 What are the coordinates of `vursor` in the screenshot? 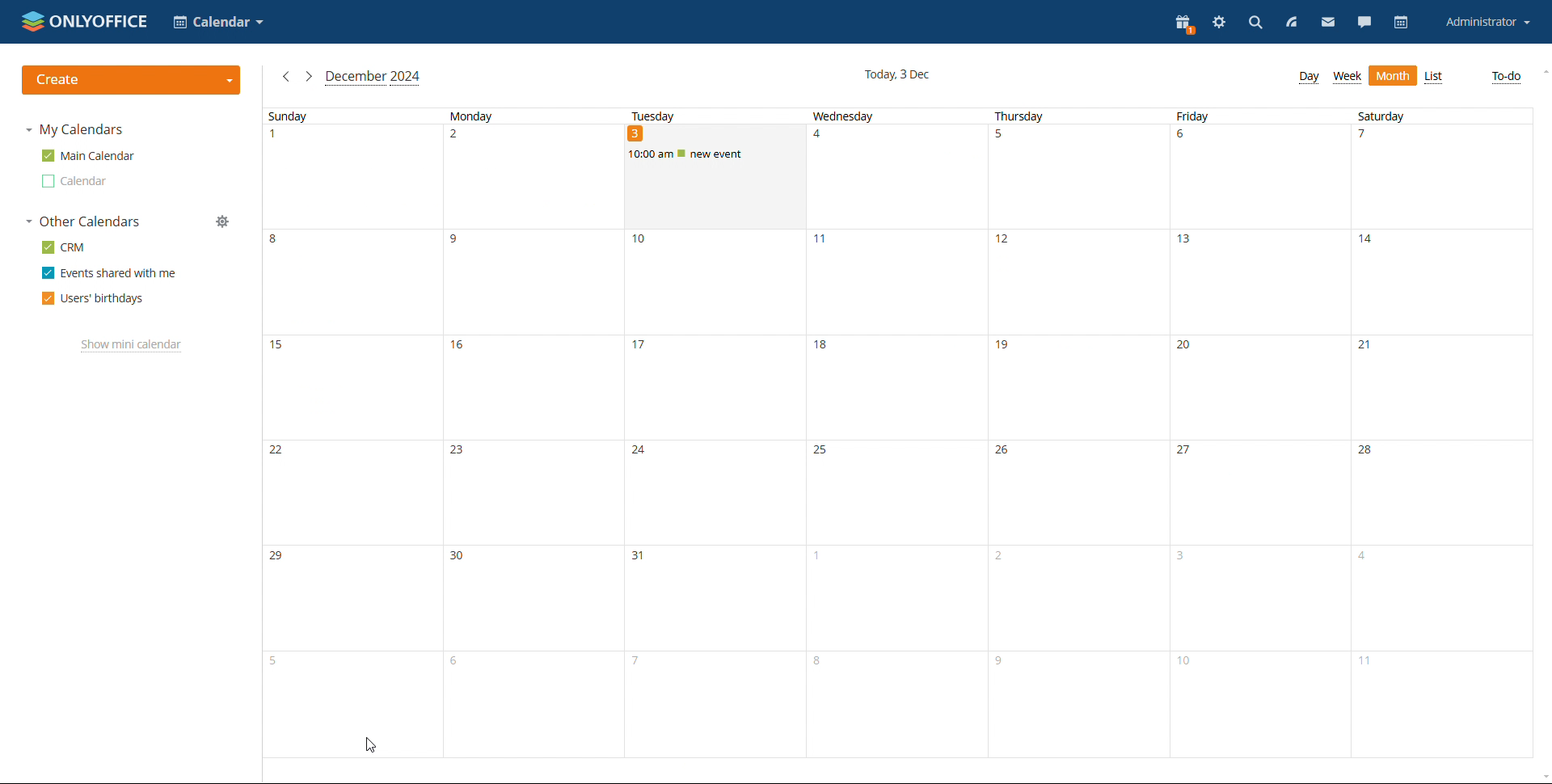 It's located at (656, 165).